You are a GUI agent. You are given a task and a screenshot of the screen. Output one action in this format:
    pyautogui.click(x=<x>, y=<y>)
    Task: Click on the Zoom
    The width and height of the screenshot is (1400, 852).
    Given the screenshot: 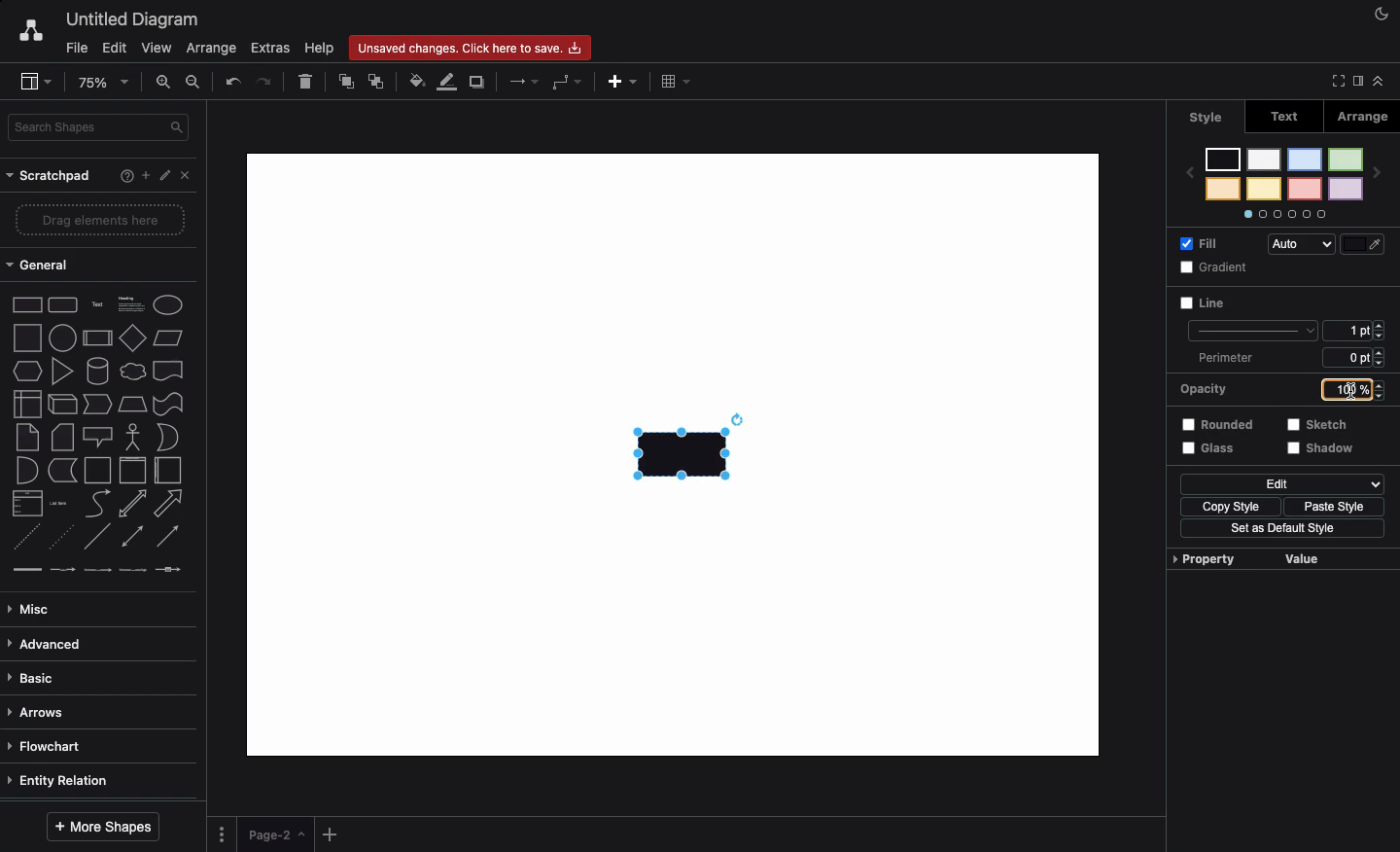 What is the action you would take?
    pyautogui.click(x=102, y=83)
    